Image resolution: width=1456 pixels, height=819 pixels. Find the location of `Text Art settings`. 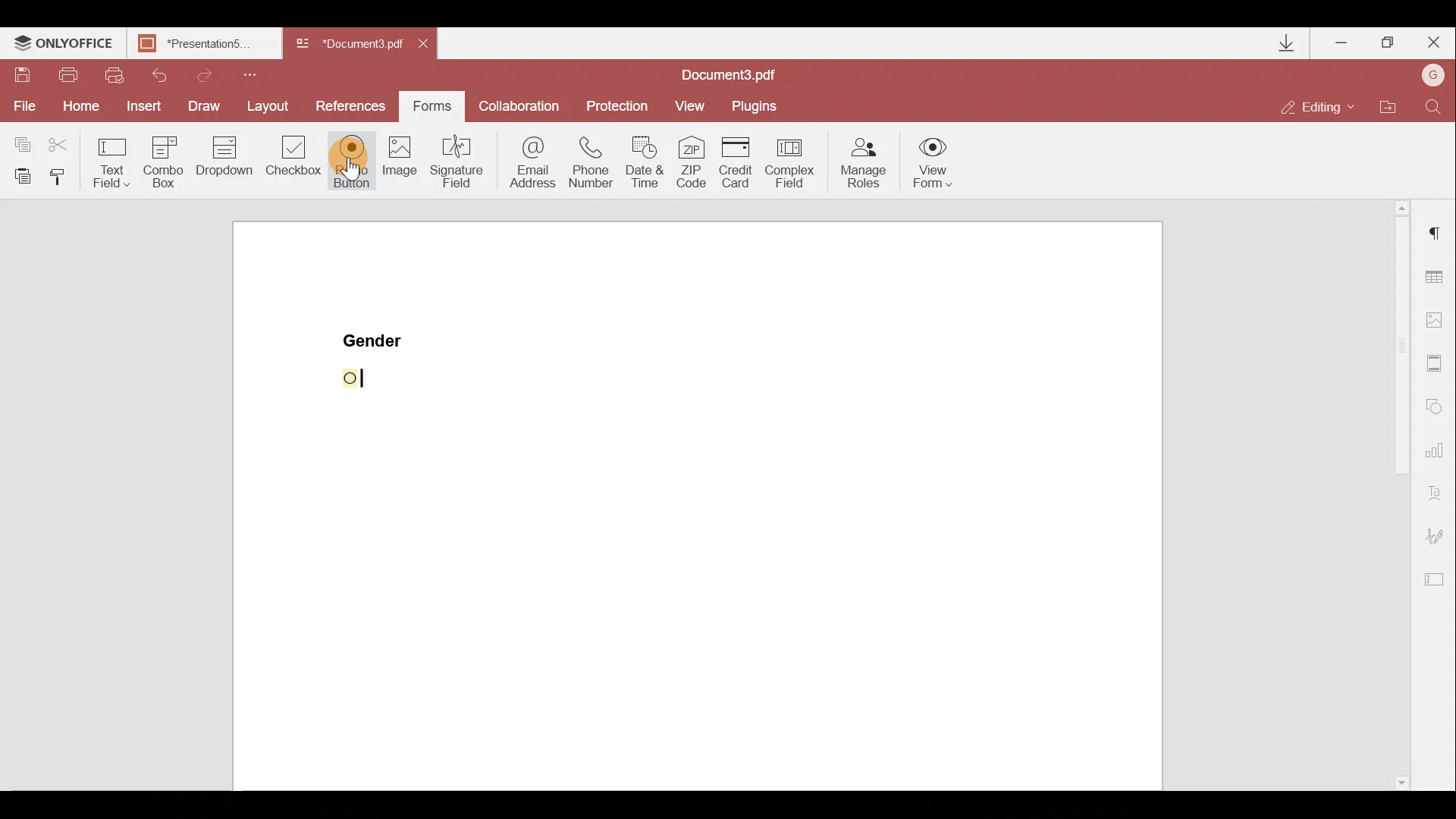

Text Art settings is located at coordinates (1439, 495).